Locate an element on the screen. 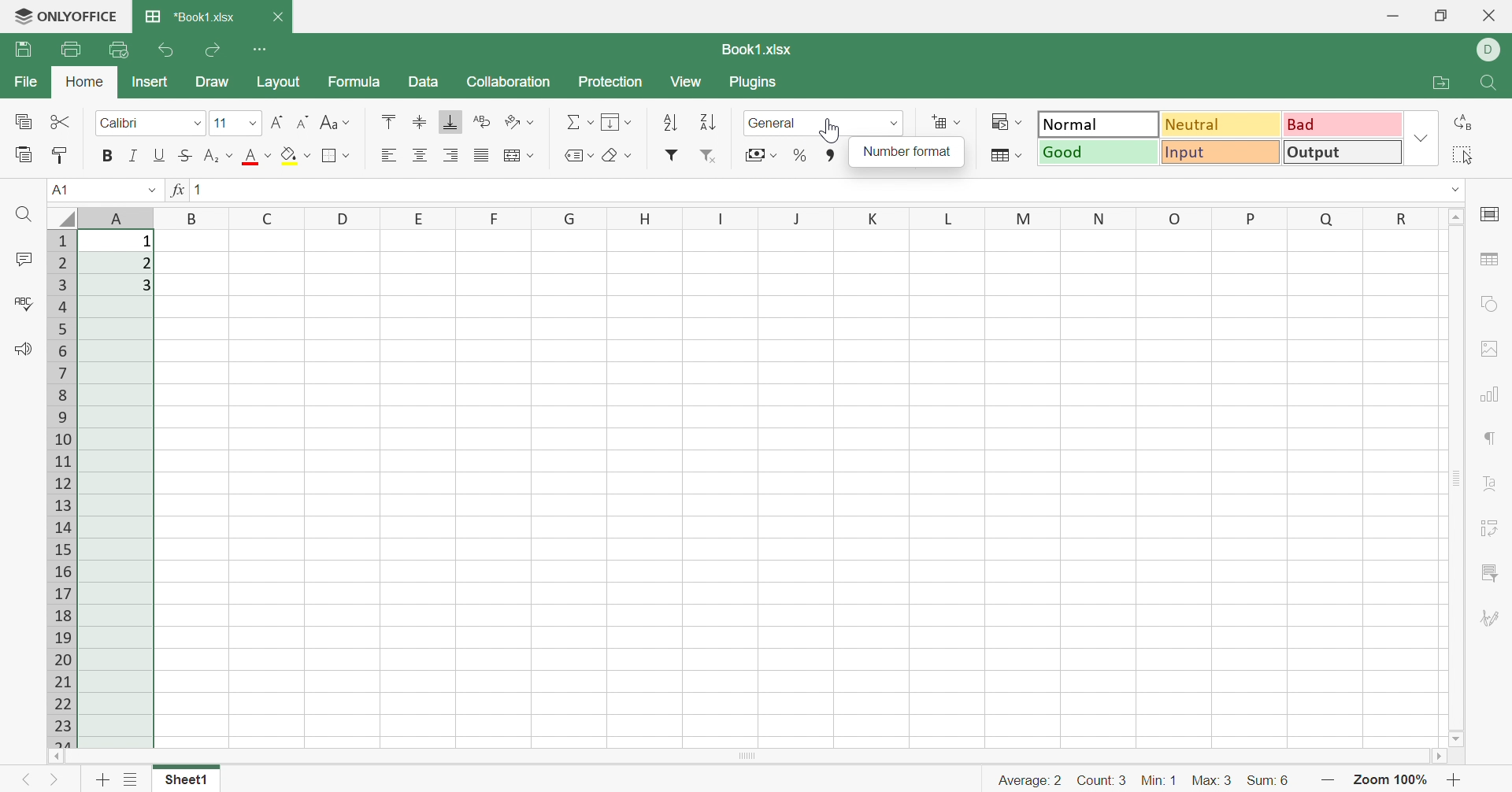  Protection is located at coordinates (610, 83).